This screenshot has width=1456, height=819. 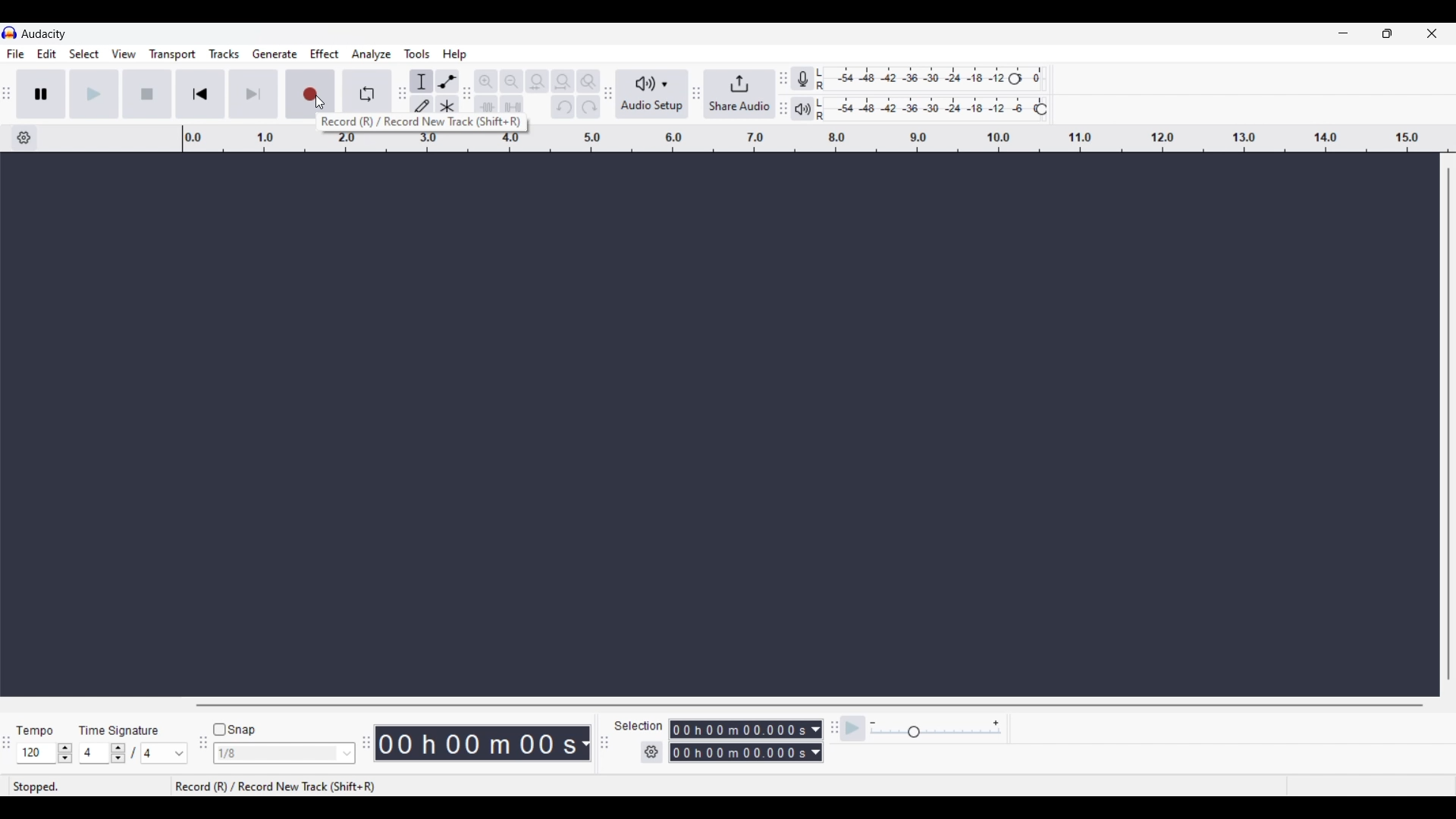 What do you see at coordinates (803, 109) in the screenshot?
I see `Playback meter` at bounding box center [803, 109].